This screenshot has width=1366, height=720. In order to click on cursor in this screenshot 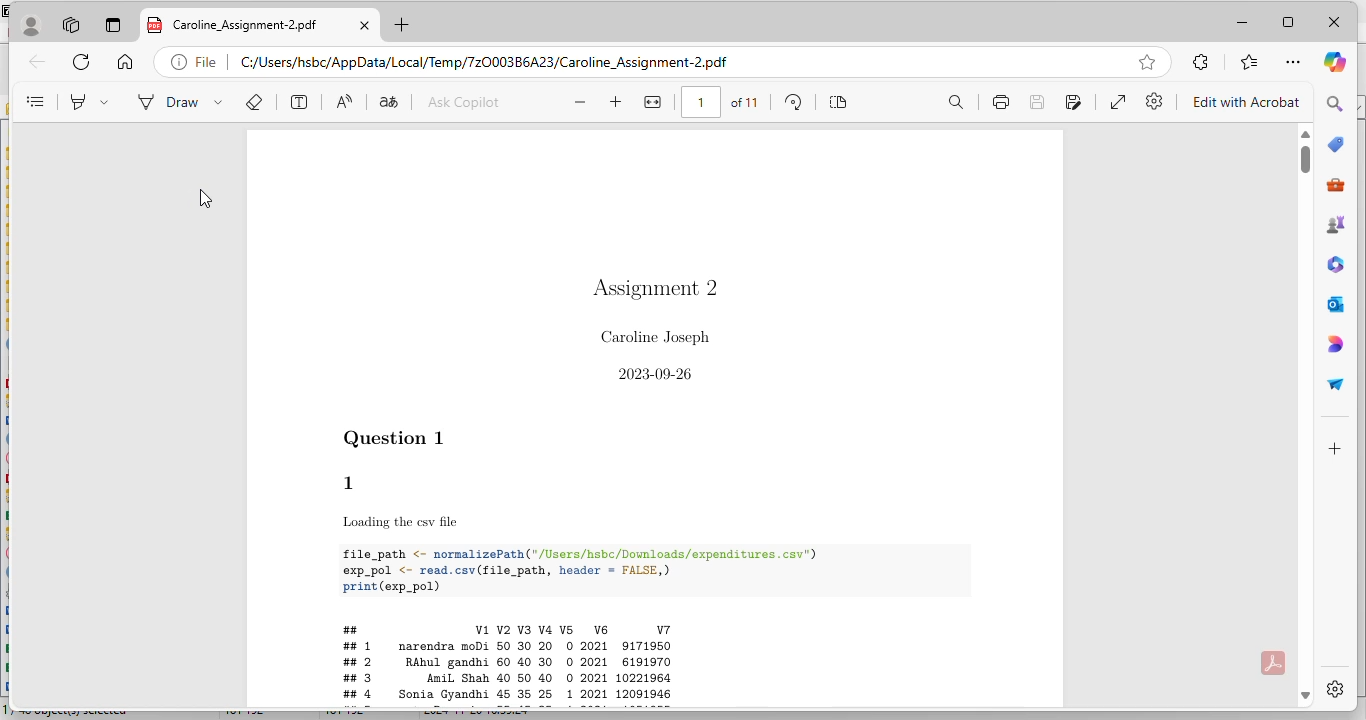, I will do `click(205, 200)`.